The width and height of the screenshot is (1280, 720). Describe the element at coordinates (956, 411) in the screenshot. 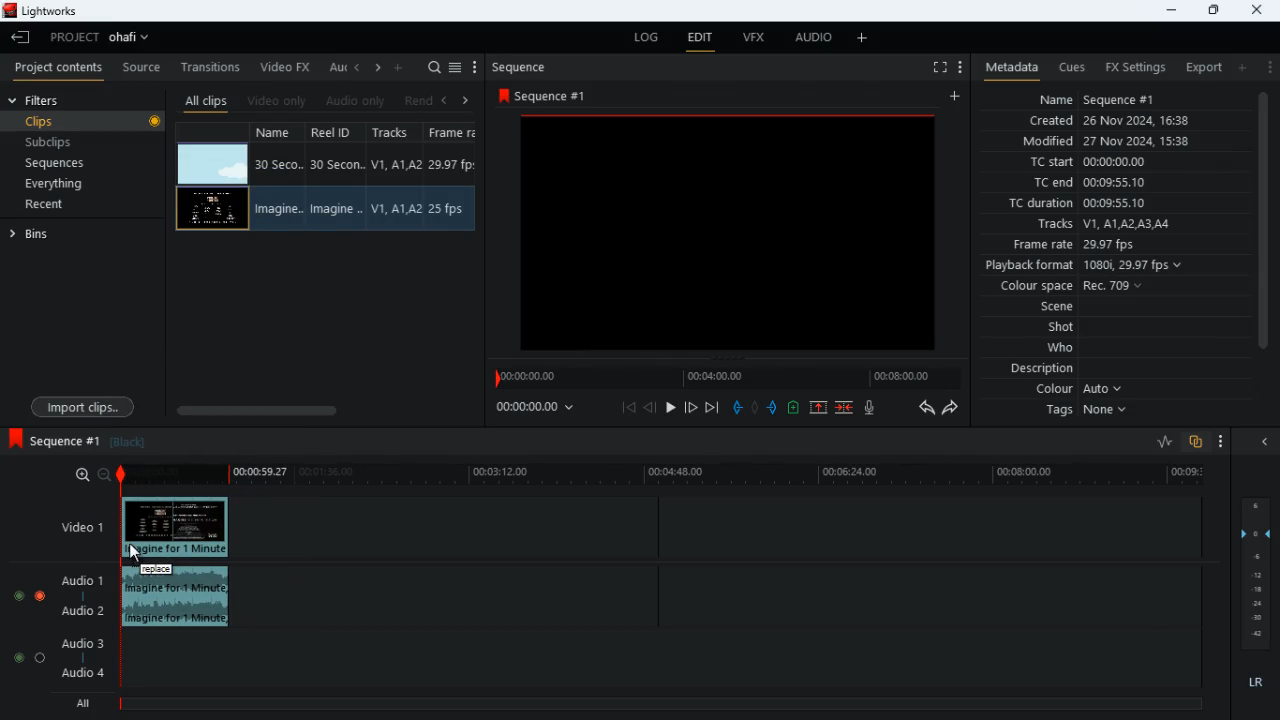

I see `forward` at that location.